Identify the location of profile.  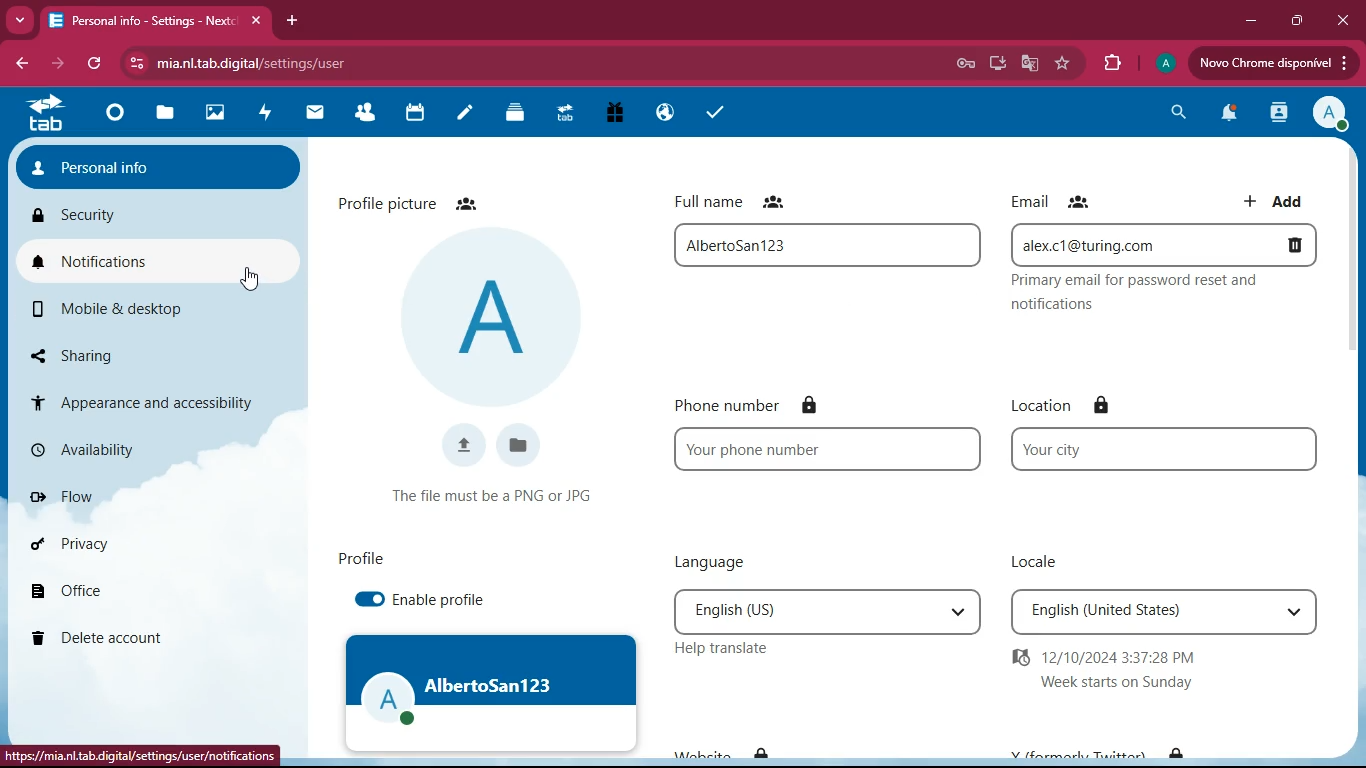
(1331, 111).